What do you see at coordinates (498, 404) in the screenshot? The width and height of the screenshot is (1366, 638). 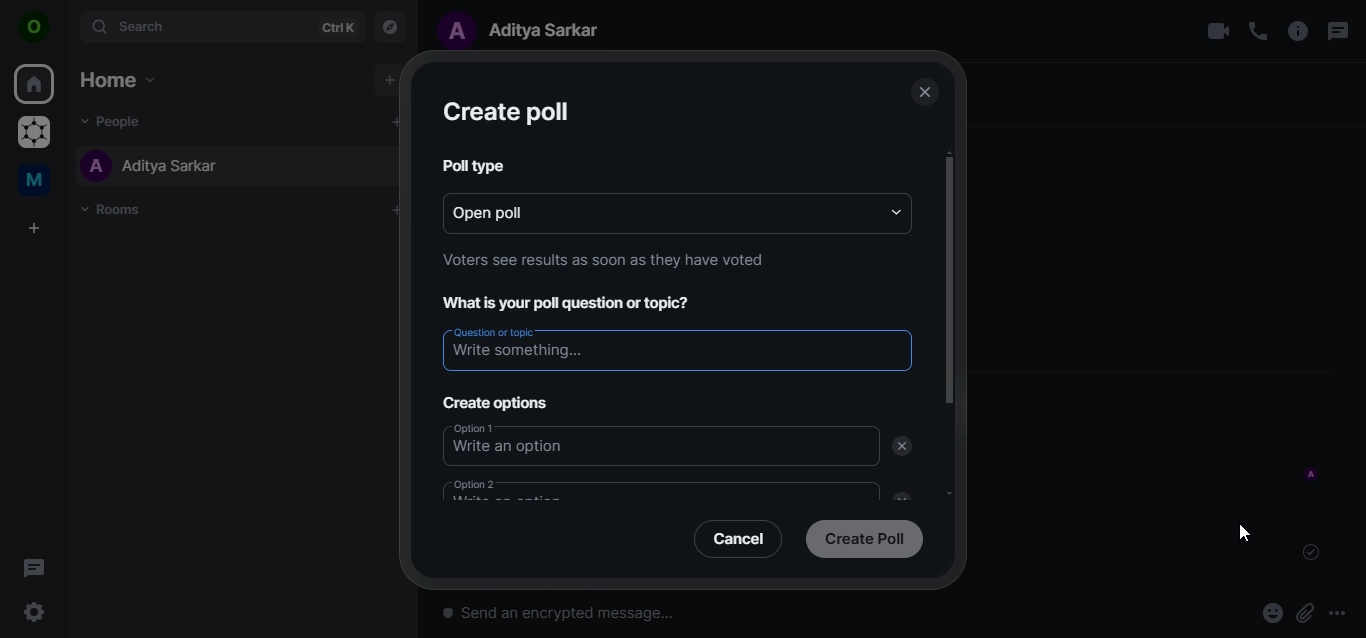 I see `create options` at bounding box center [498, 404].